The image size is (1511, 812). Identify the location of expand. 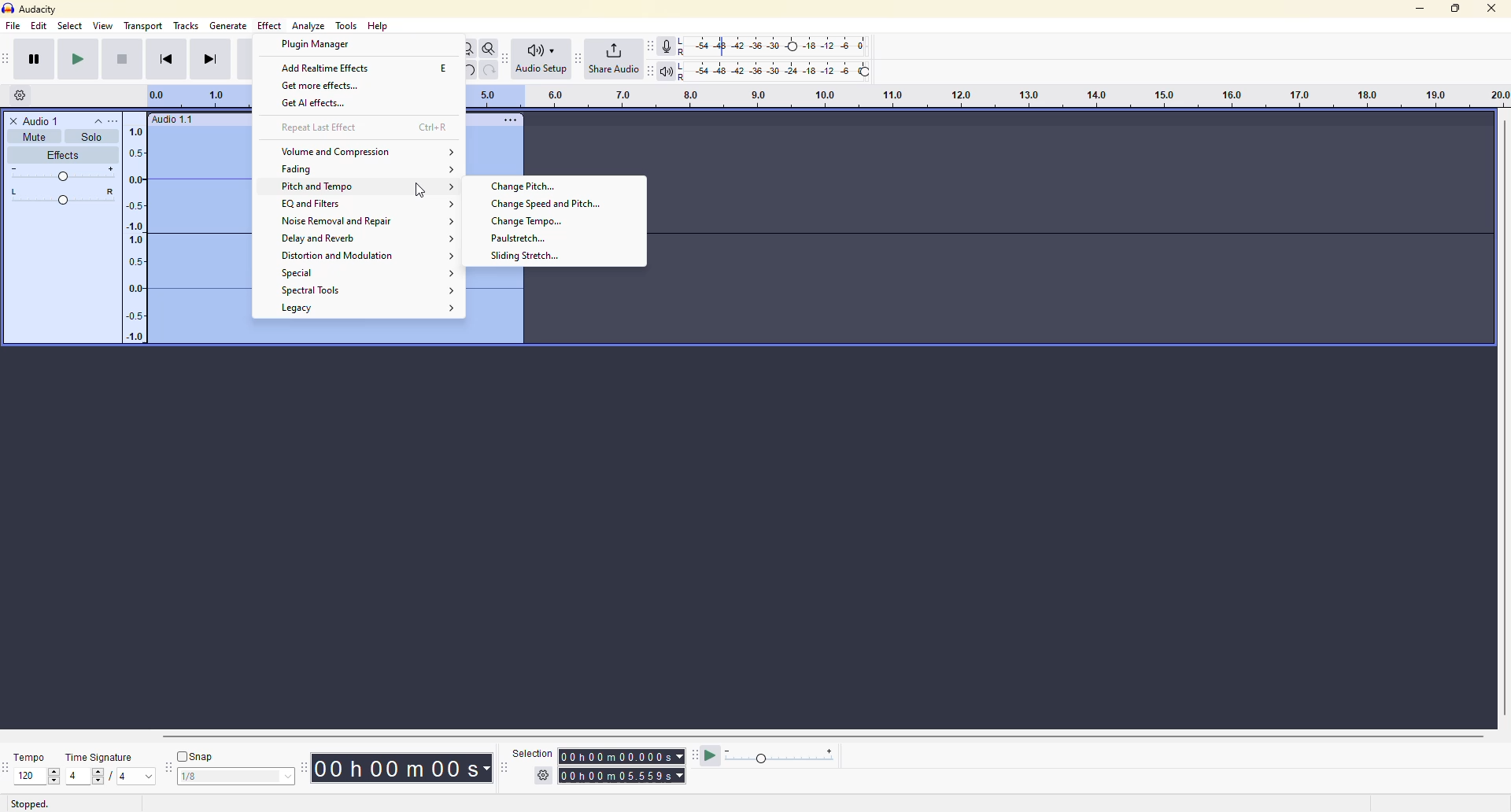
(453, 221).